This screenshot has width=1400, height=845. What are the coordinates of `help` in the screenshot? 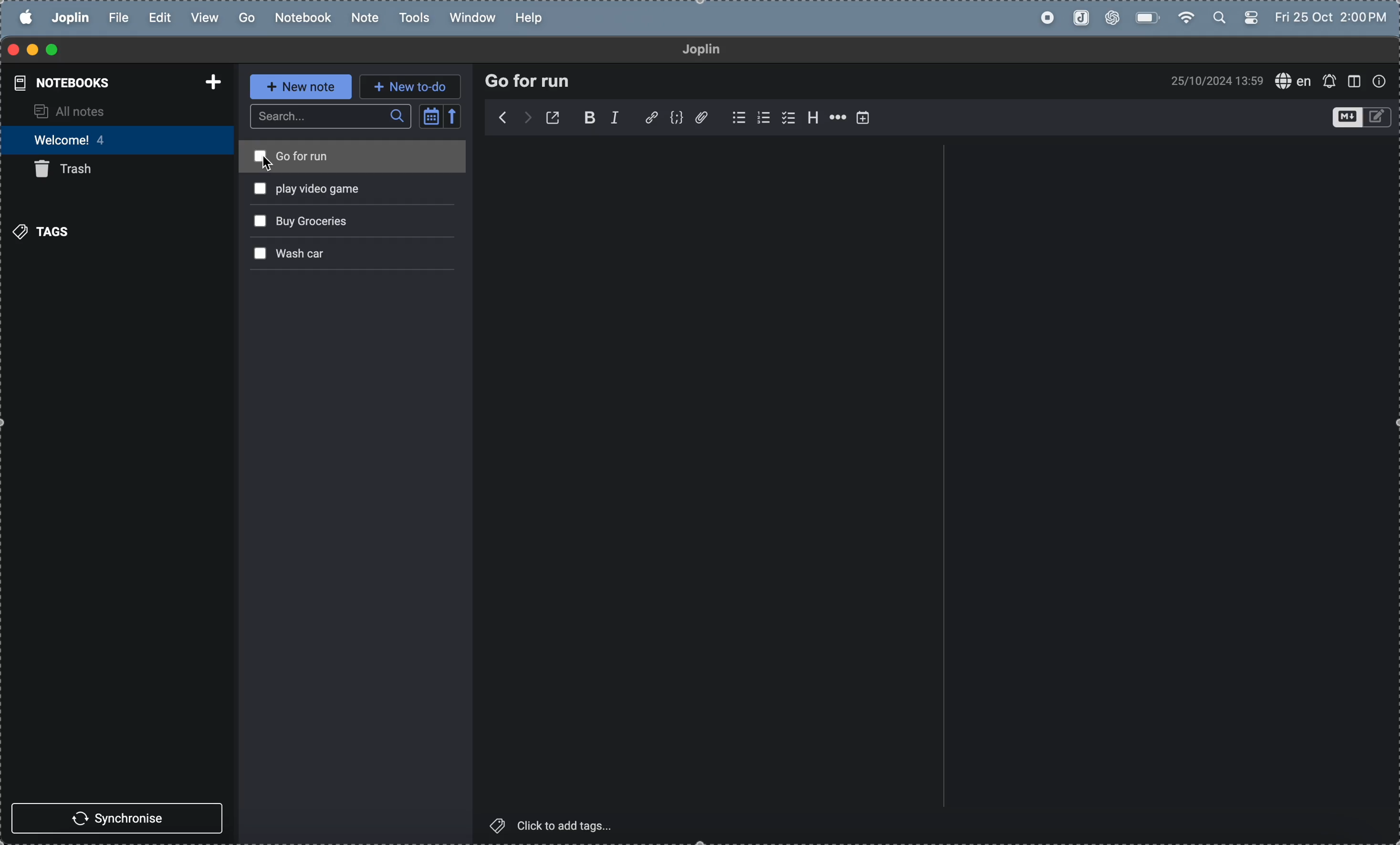 It's located at (531, 19).